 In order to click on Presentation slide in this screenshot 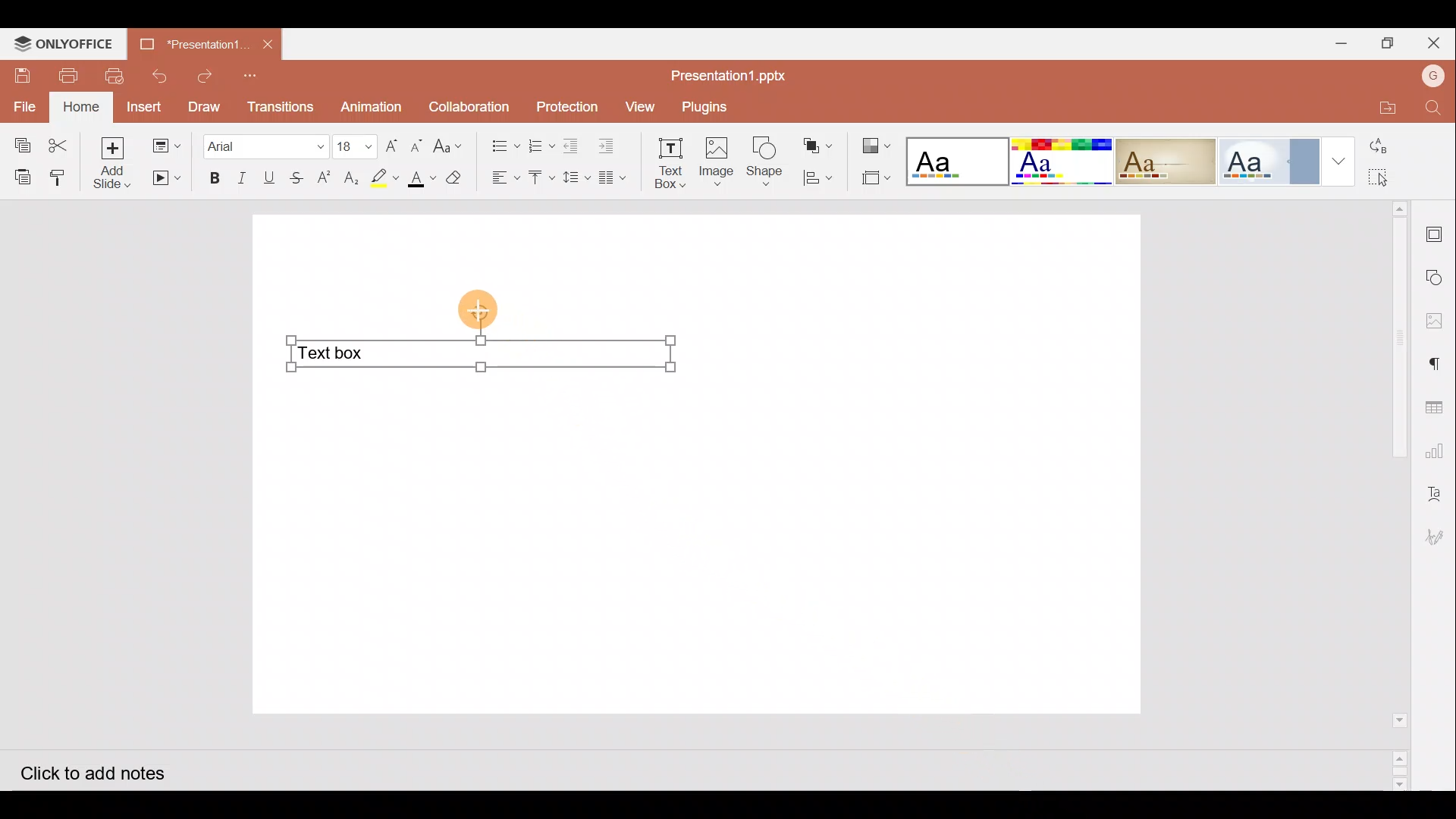, I will do `click(920, 460)`.